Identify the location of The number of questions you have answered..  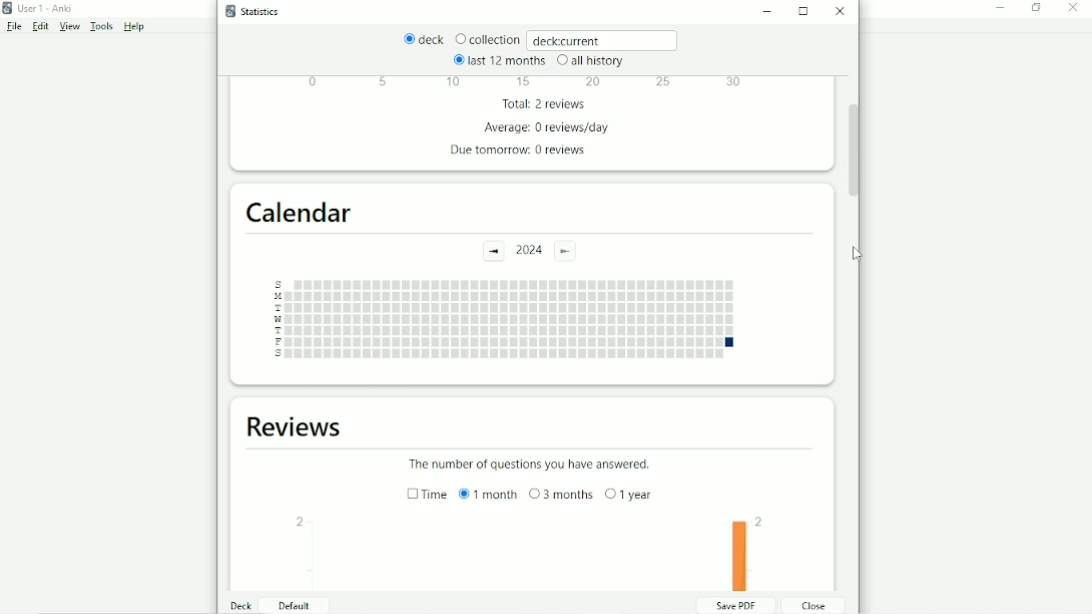
(530, 465).